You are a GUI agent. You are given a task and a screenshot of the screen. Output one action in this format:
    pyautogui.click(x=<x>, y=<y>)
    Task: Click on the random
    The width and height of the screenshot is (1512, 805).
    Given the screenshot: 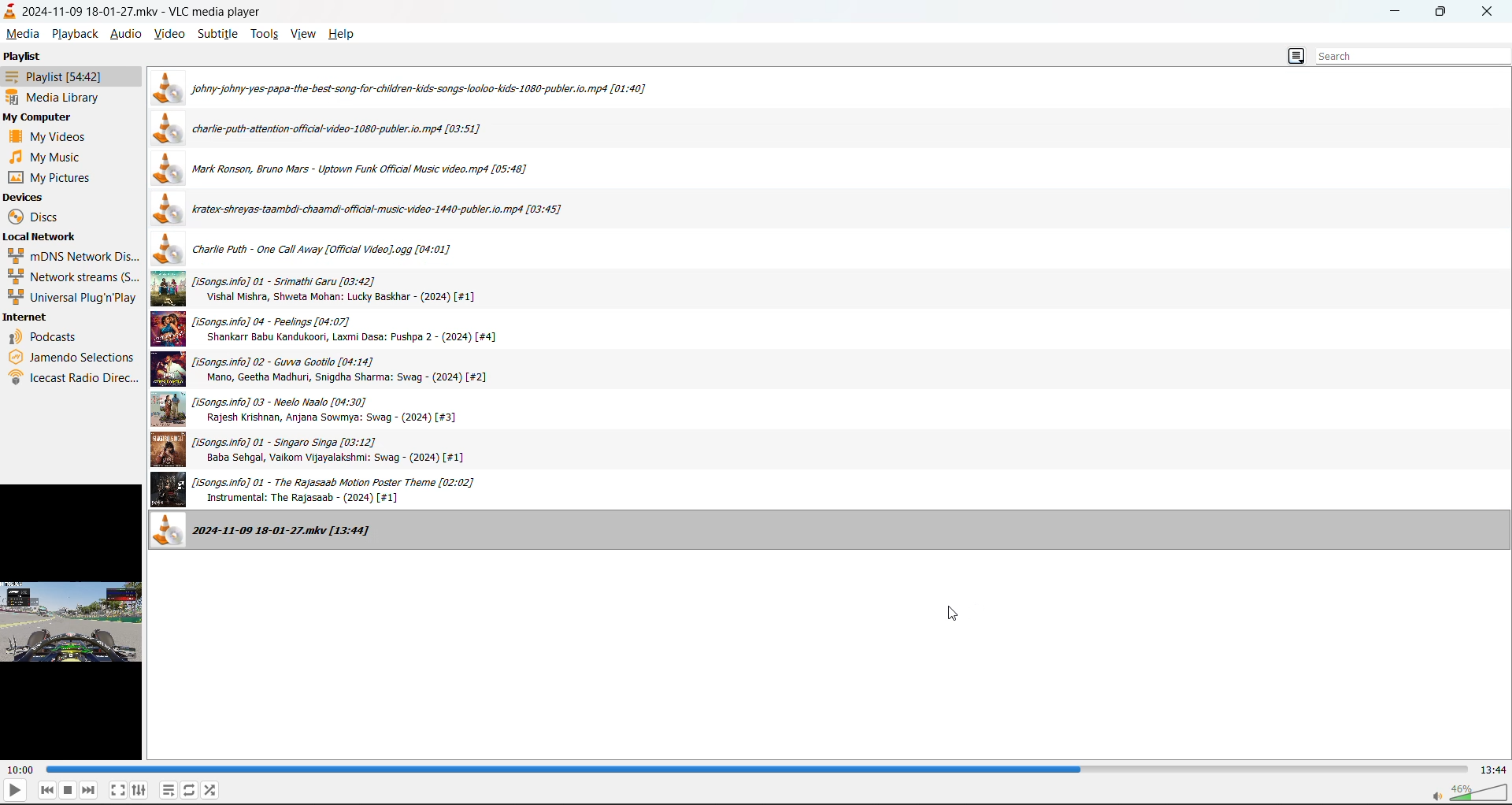 What is the action you would take?
    pyautogui.click(x=211, y=788)
    